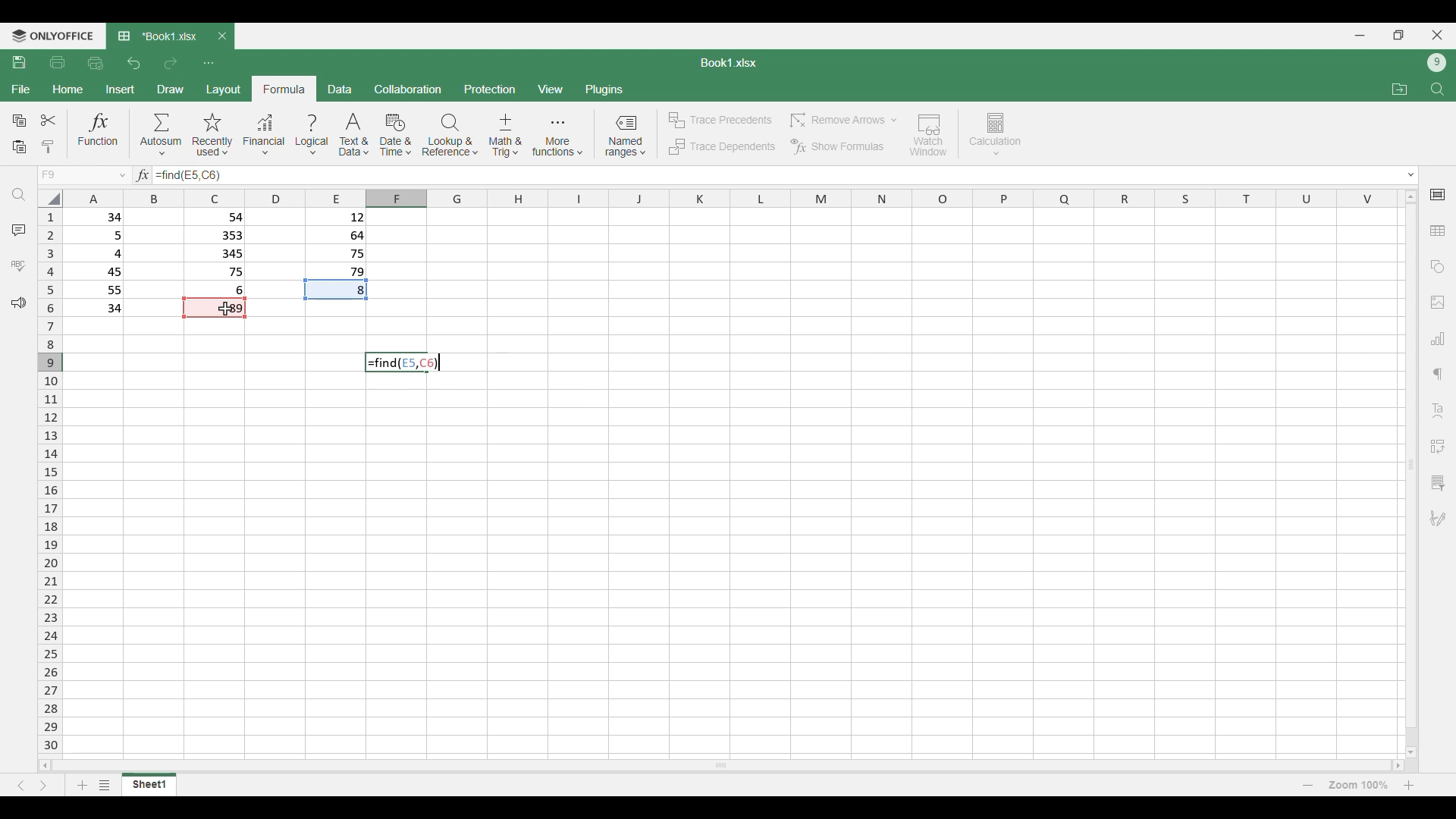 The width and height of the screenshot is (1456, 819). I want to click on Named ranges, so click(625, 136).